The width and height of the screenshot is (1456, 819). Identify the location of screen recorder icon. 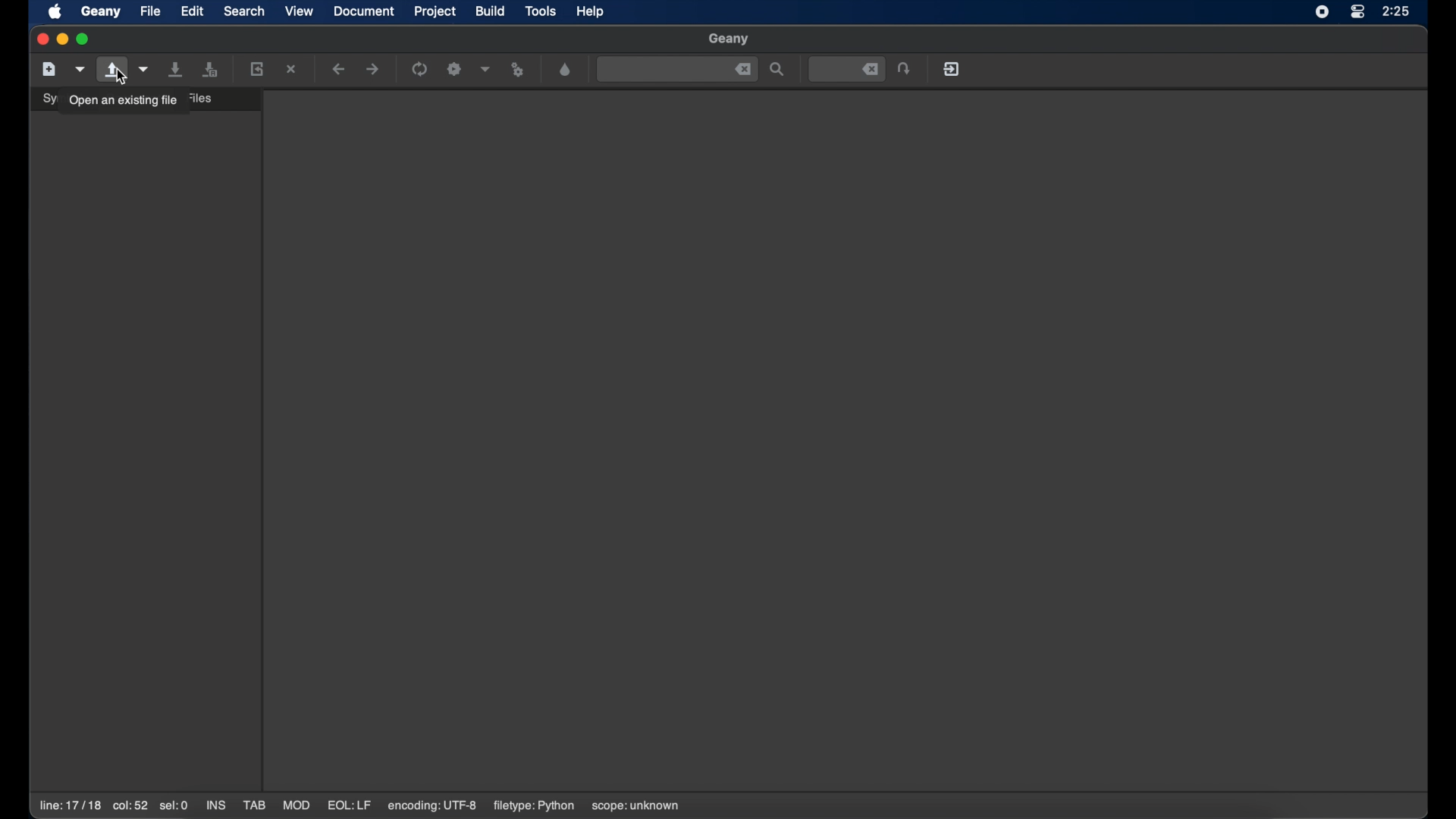
(1323, 11).